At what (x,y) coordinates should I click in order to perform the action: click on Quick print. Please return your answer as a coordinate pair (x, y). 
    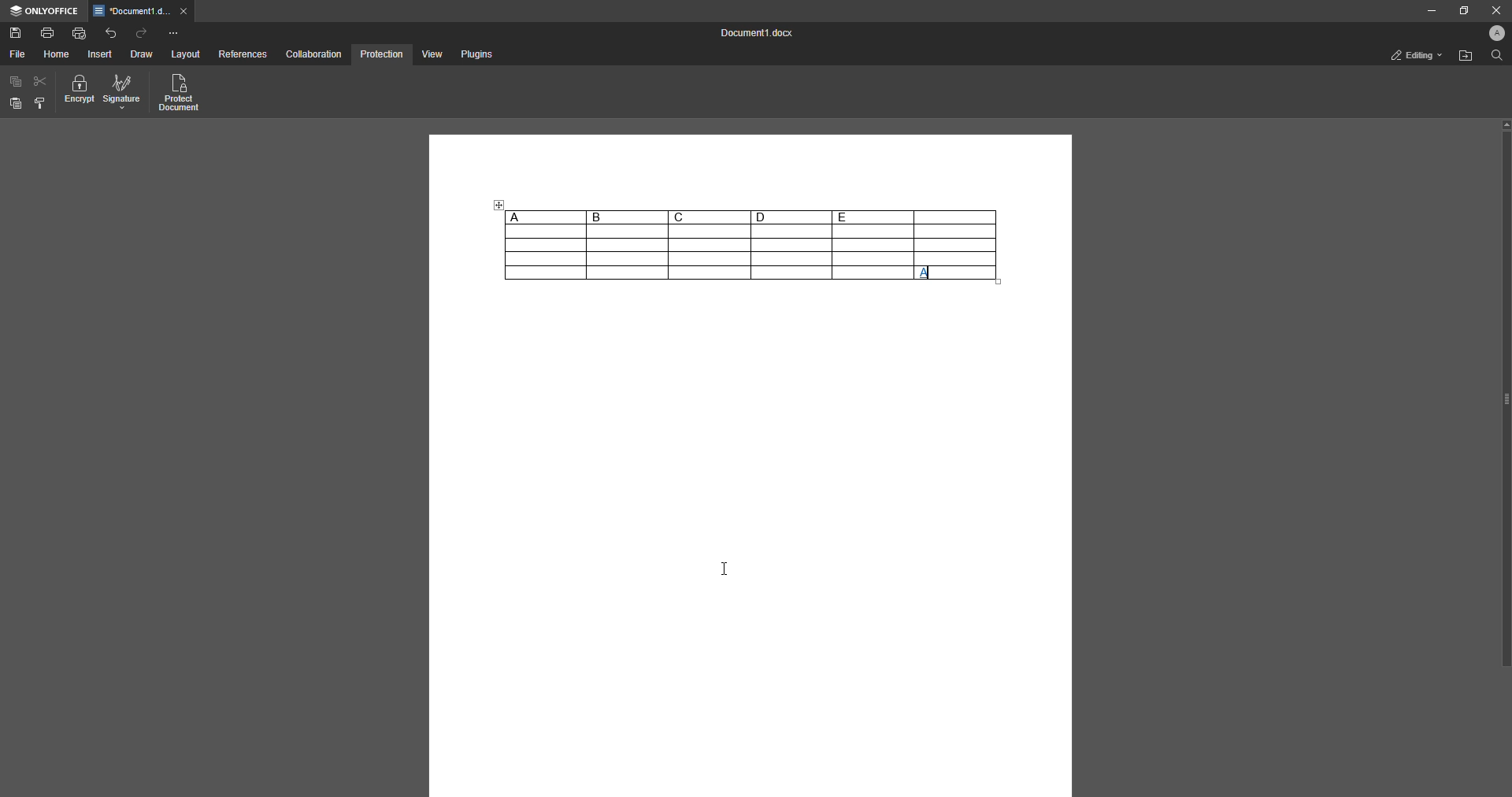
    Looking at the image, I should click on (80, 32).